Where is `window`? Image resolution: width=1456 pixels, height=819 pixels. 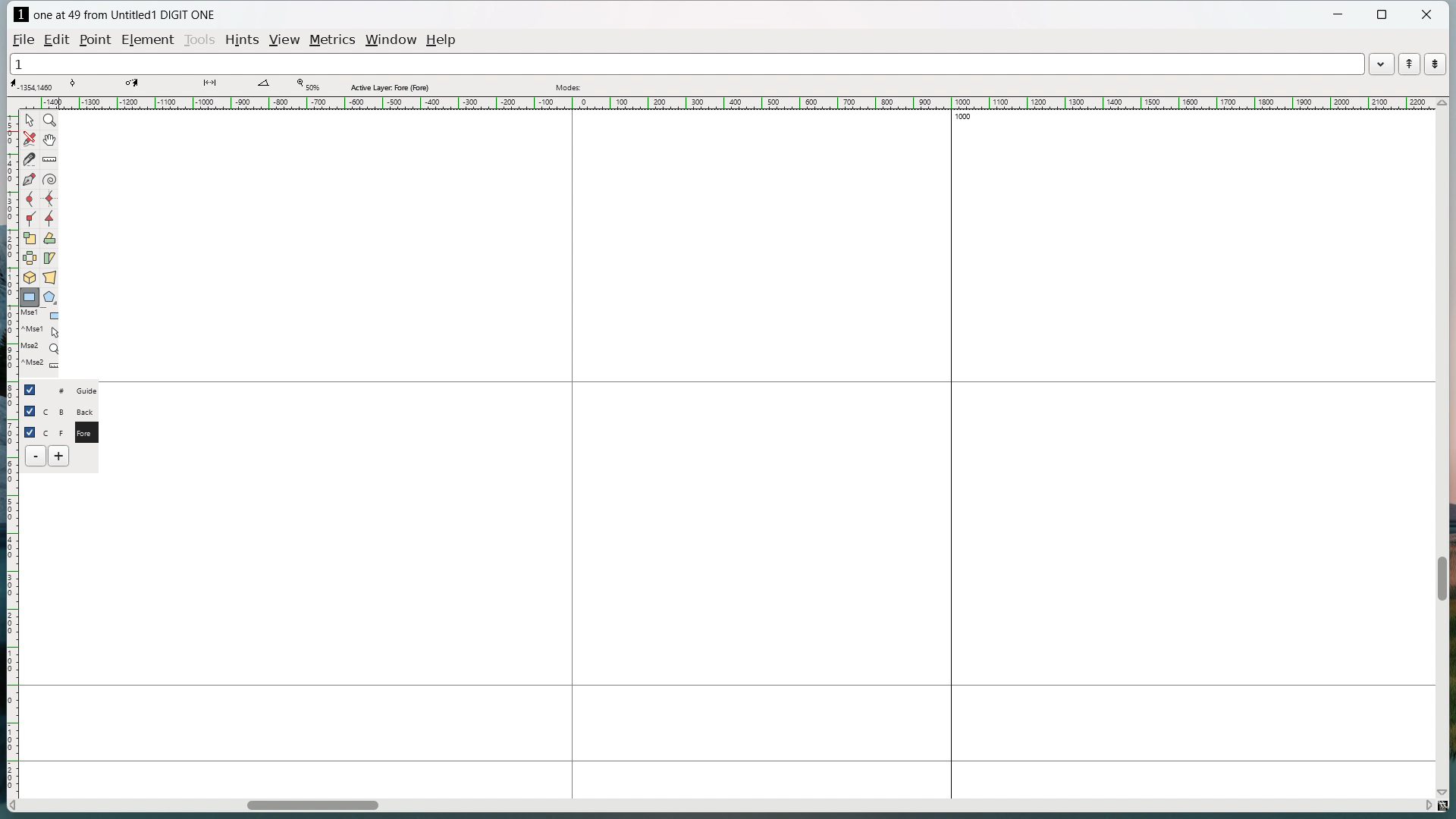 window is located at coordinates (393, 39).